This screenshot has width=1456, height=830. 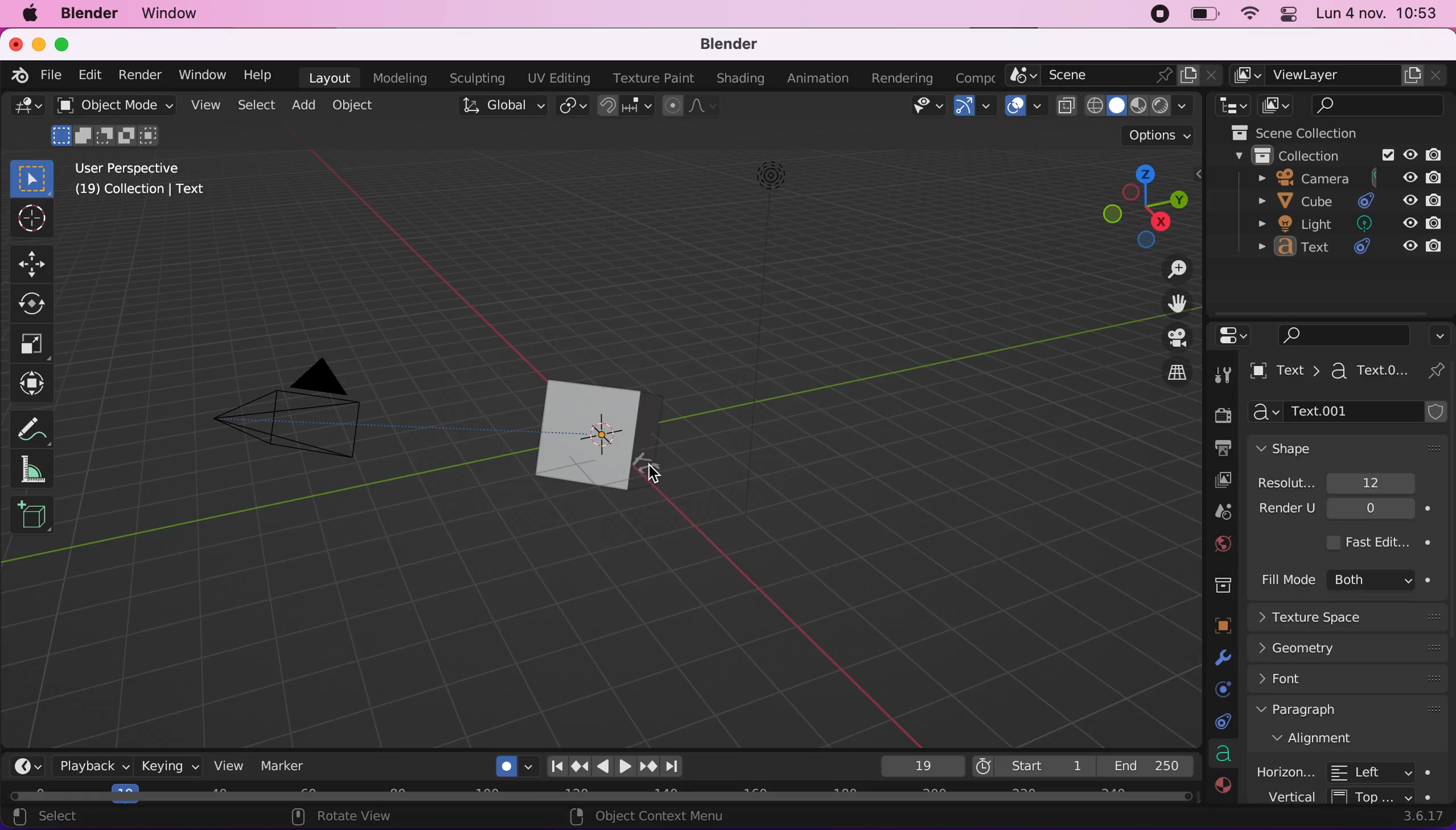 What do you see at coordinates (1351, 770) in the screenshot?
I see `horizontal` at bounding box center [1351, 770].